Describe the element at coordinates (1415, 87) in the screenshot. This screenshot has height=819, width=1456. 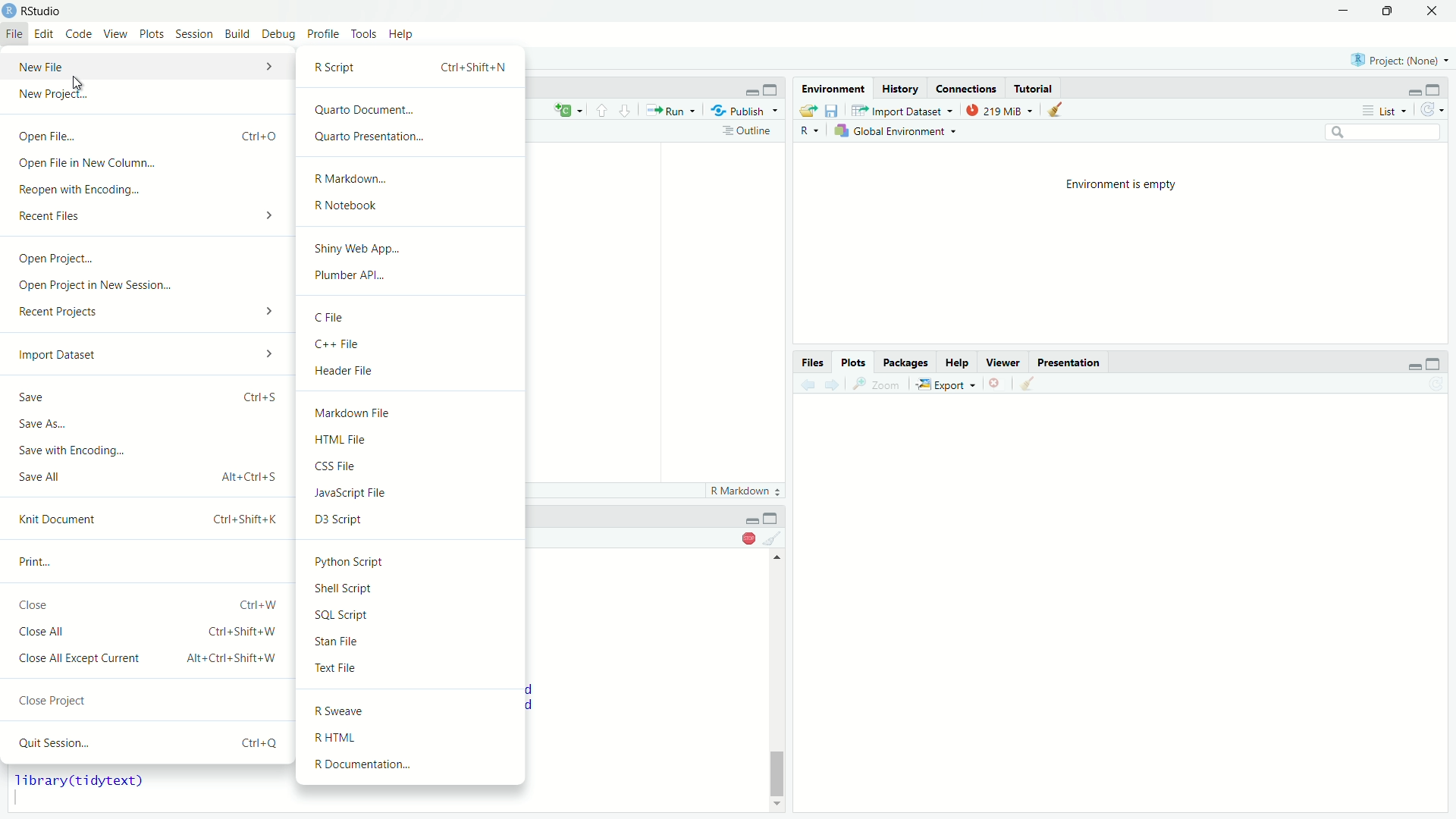
I see `Minimize` at that location.